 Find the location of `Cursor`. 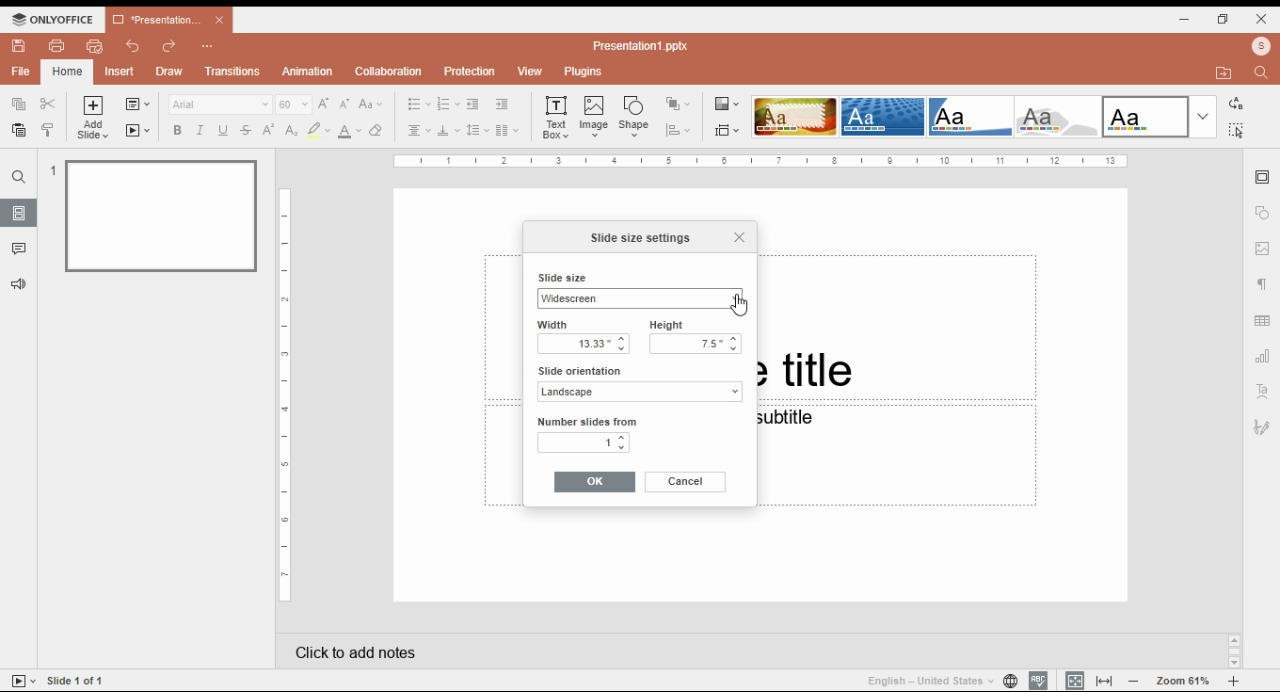

Cursor is located at coordinates (739, 305).